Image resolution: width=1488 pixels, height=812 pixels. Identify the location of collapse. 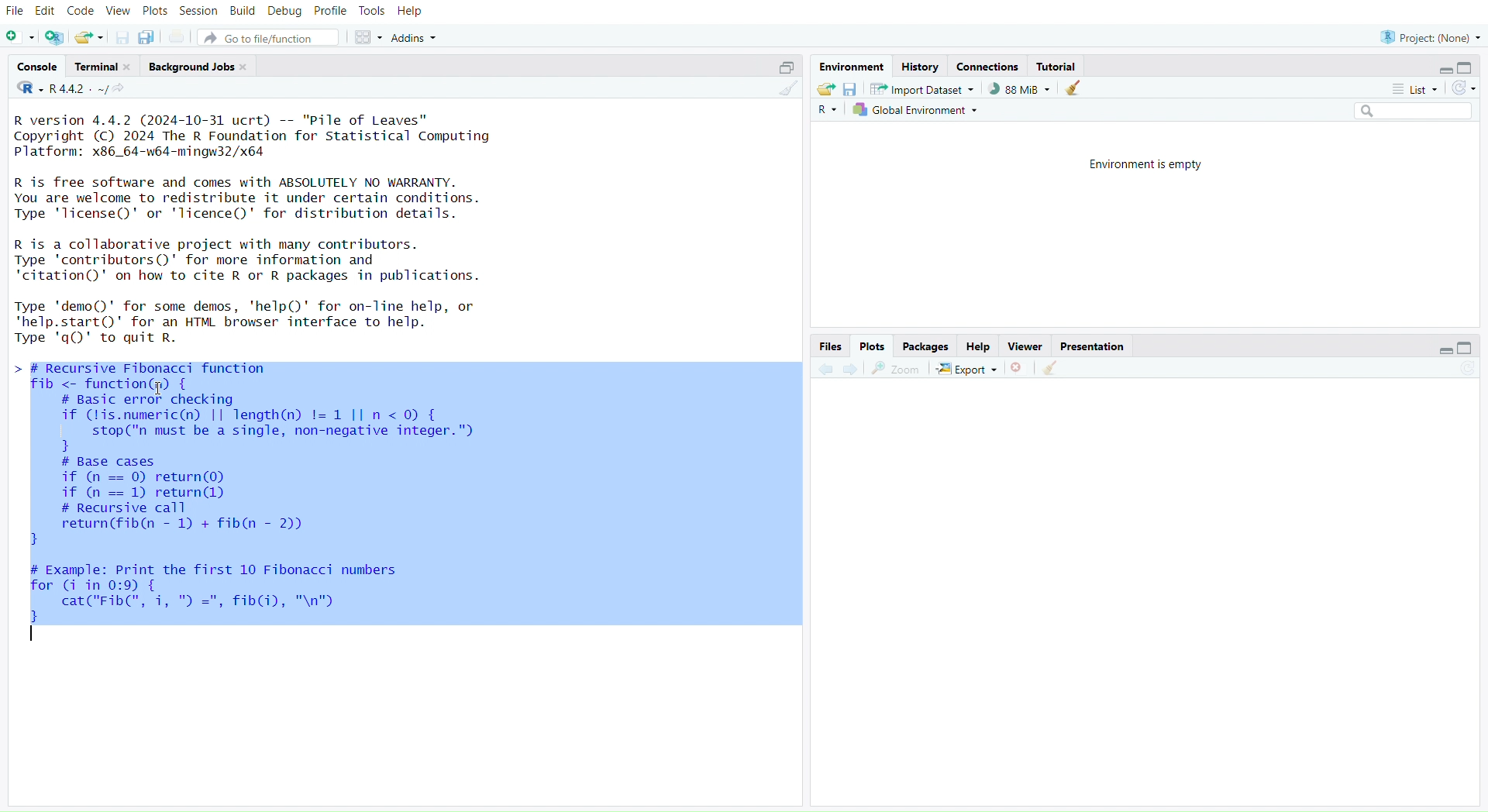
(783, 68).